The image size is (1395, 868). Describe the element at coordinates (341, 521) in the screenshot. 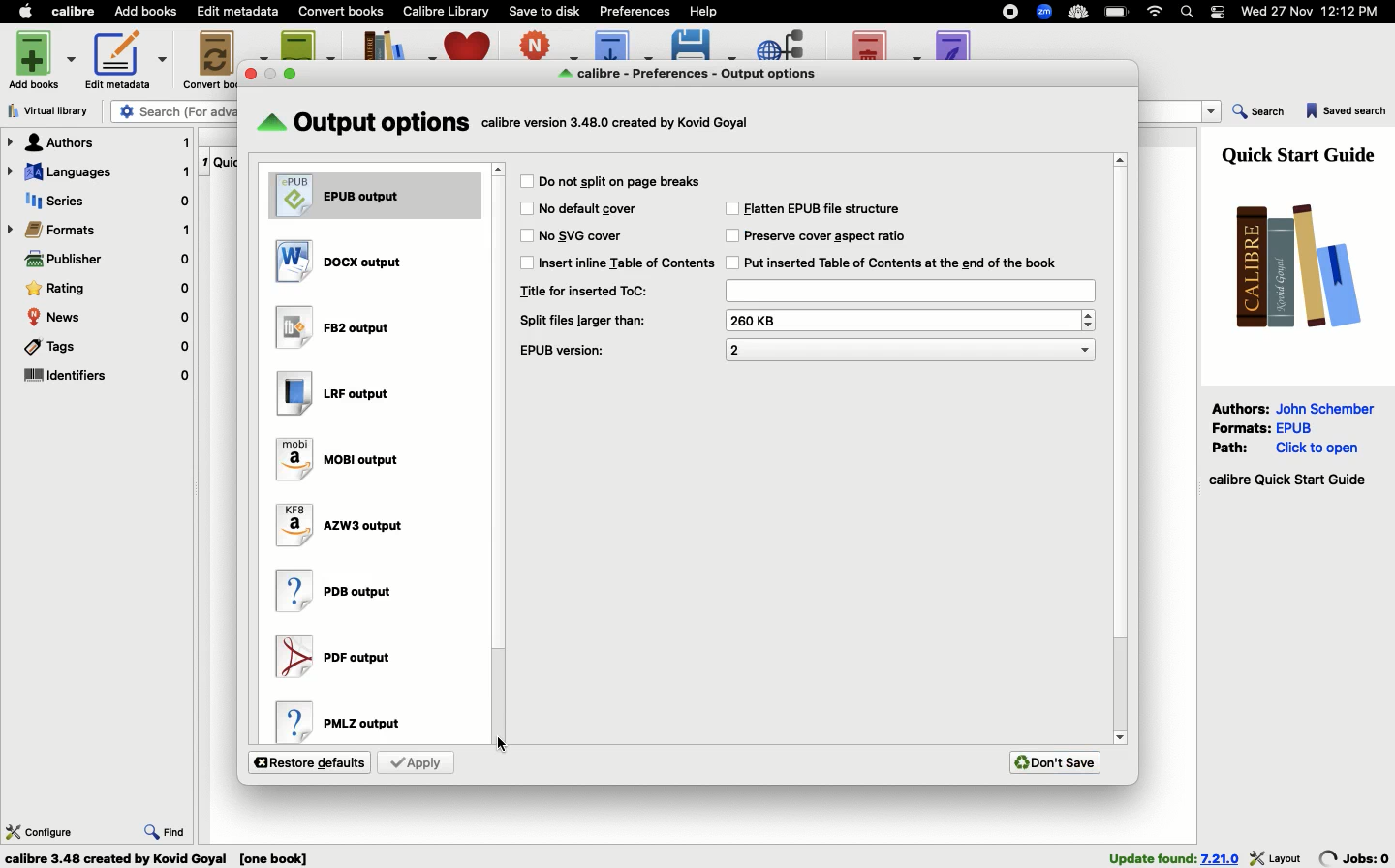

I see `AZW3` at that location.